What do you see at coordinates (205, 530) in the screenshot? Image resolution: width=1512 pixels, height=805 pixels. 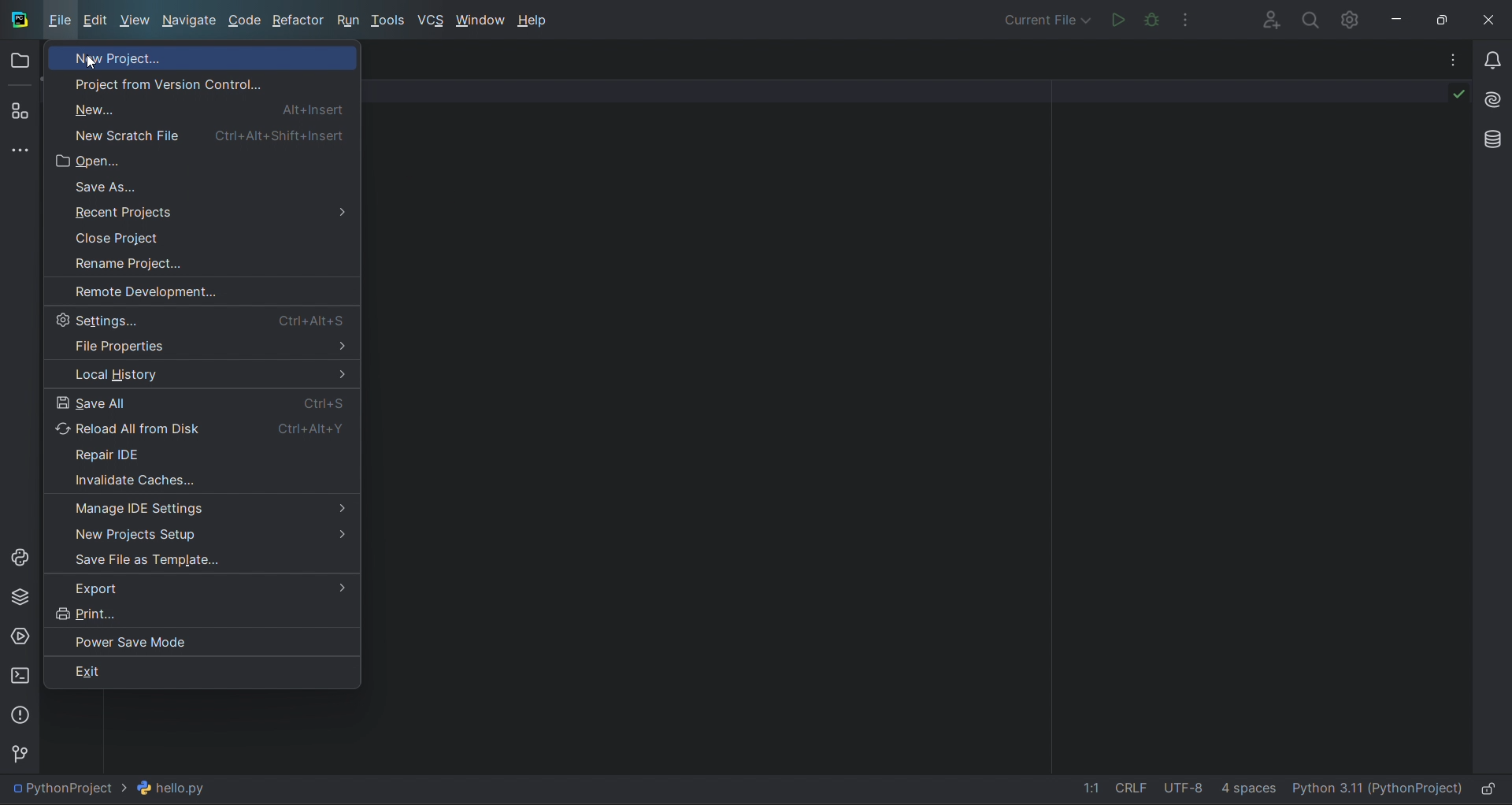 I see `setup` at bounding box center [205, 530].